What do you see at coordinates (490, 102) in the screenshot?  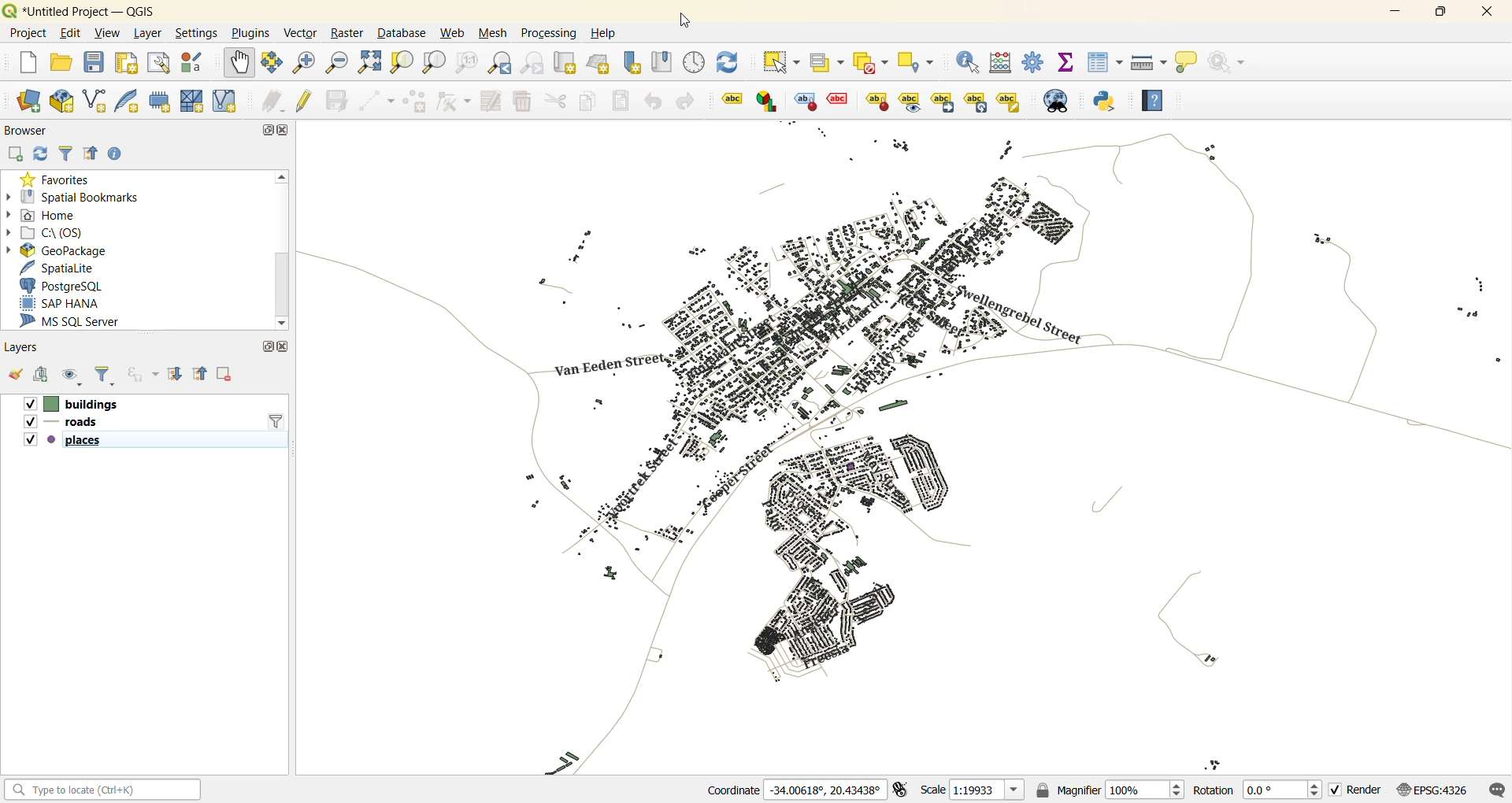 I see `modify` at bounding box center [490, 102].